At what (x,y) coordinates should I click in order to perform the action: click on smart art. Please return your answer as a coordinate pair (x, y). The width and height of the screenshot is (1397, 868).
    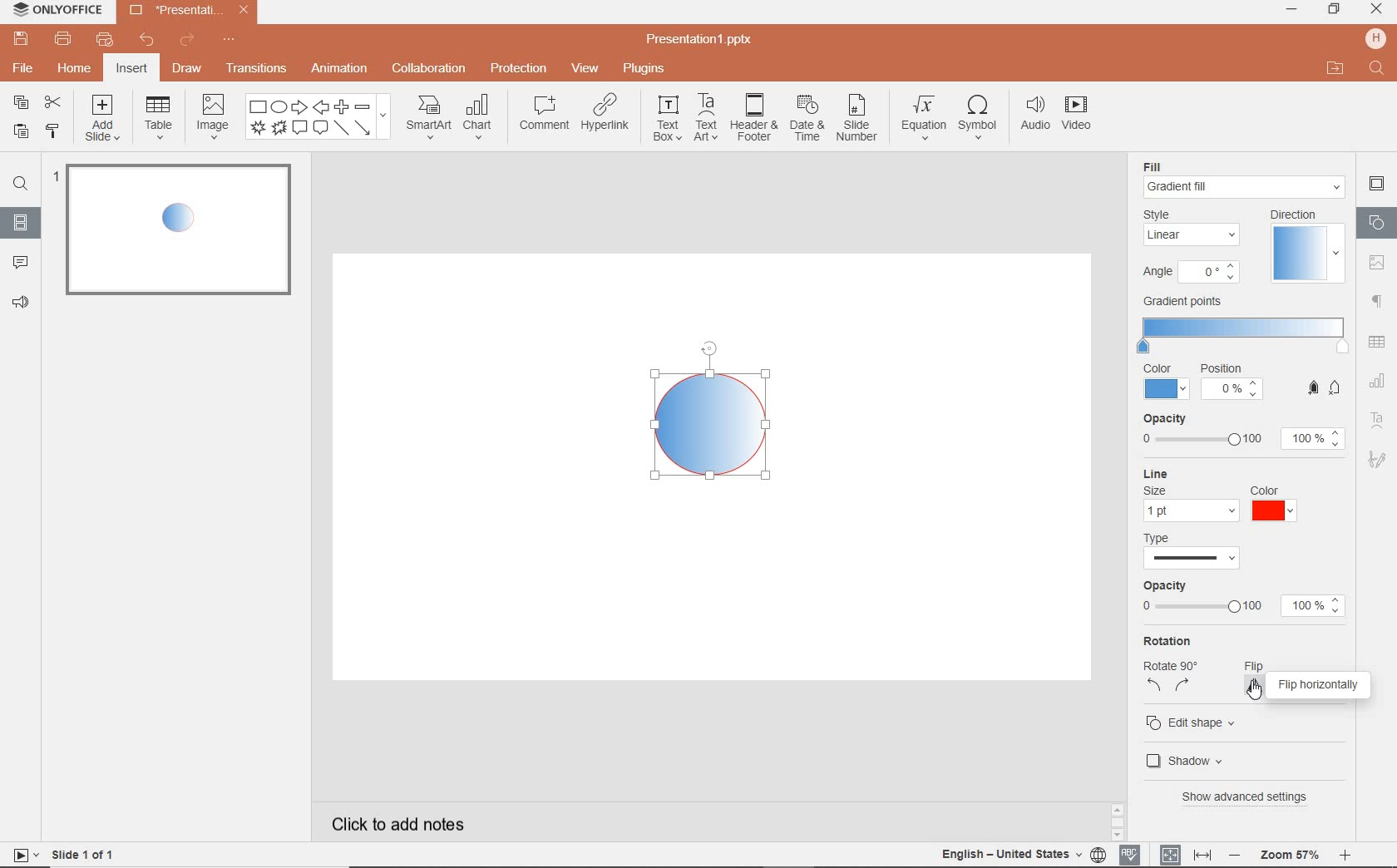
    Looking at the image, I should click on (428, 118).